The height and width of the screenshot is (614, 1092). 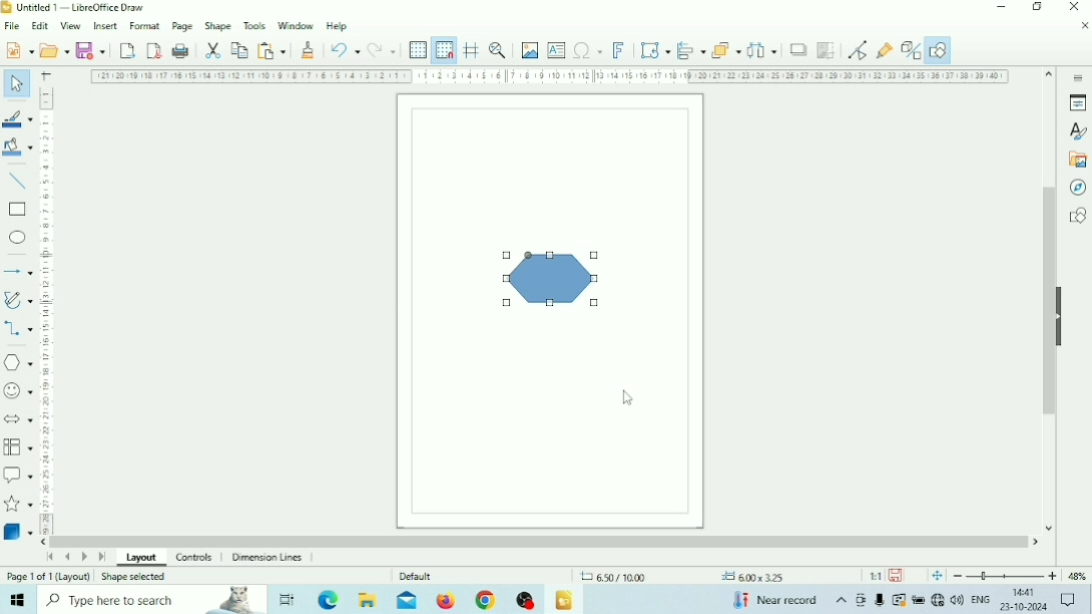 I want to click on Minimize, so click(x=1001, y=7).